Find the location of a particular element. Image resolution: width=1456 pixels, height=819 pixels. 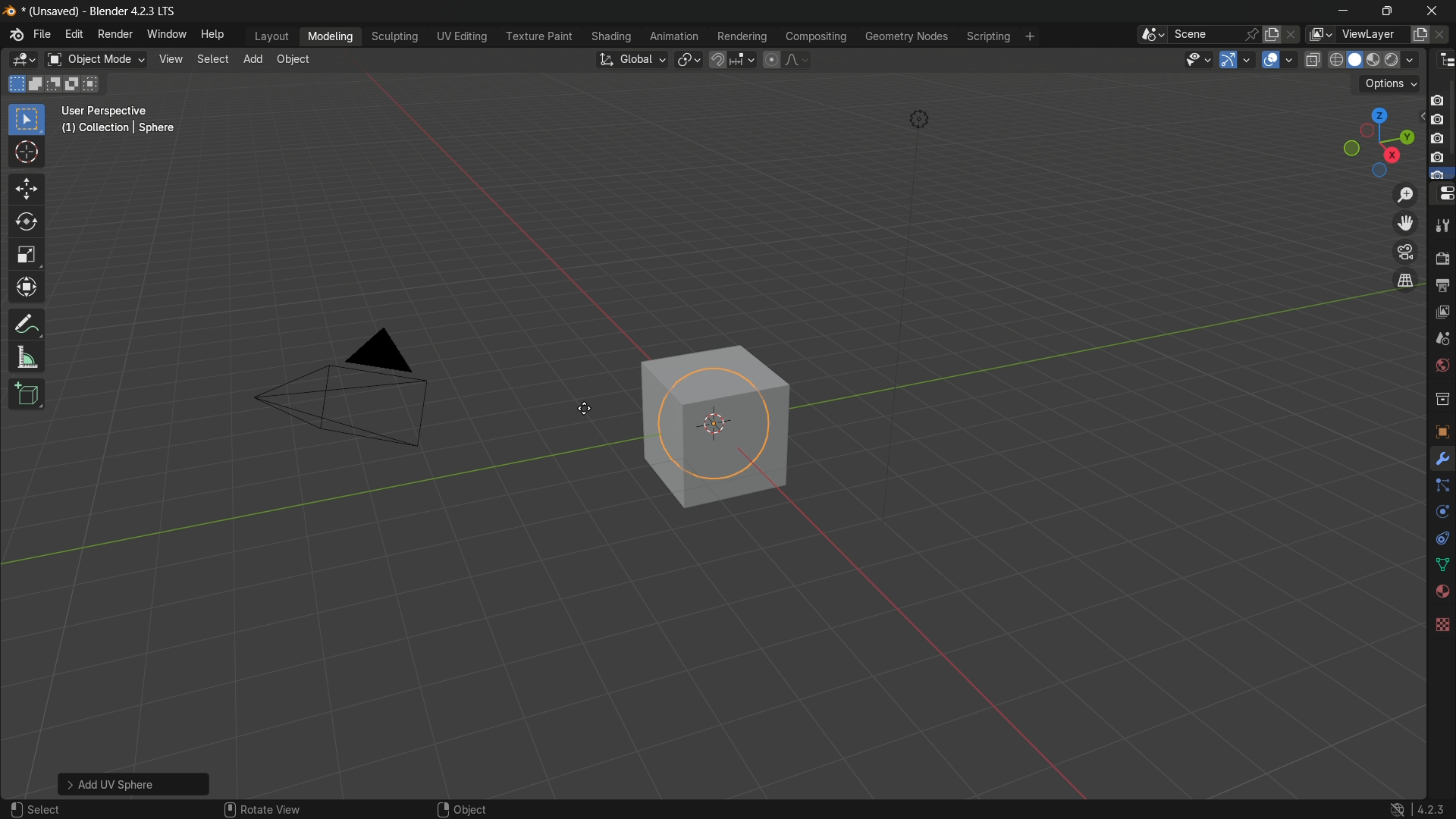

view menu is located at coordinates (171, 59).